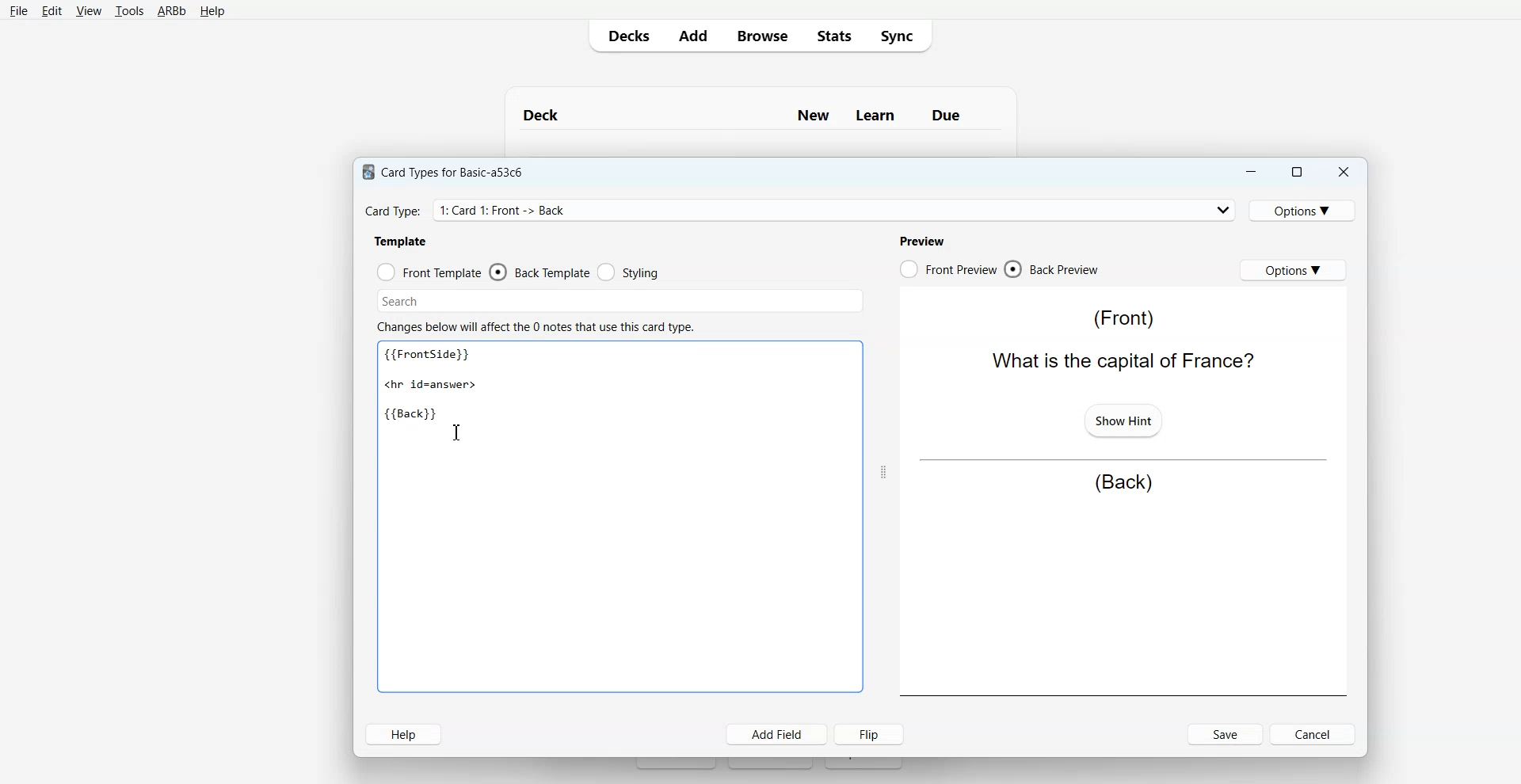  Describe the element at coordinates (402, 241) in the screenshot. I see `Template` at that location.